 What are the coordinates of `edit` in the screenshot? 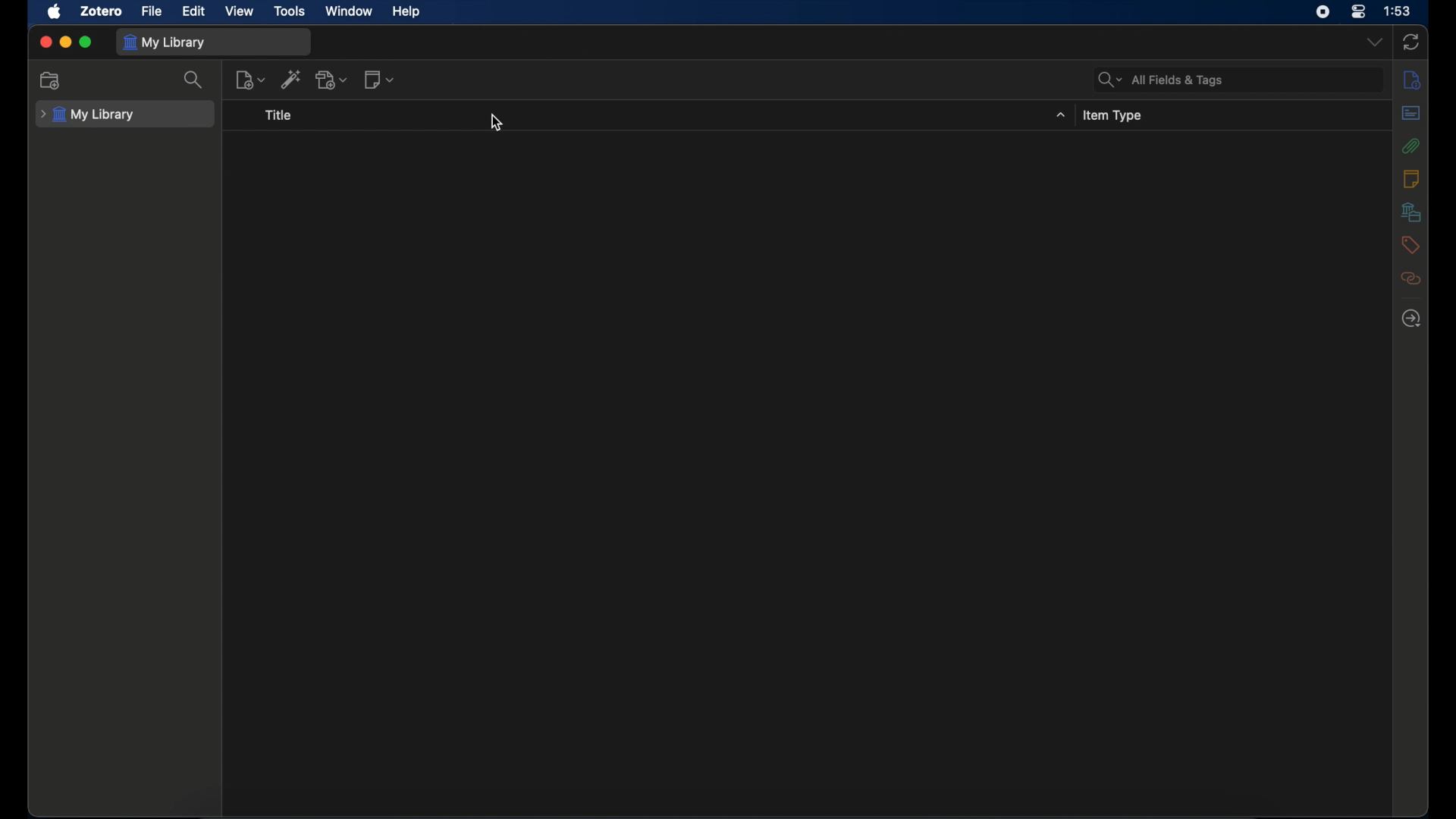 It's located at (194, 11).